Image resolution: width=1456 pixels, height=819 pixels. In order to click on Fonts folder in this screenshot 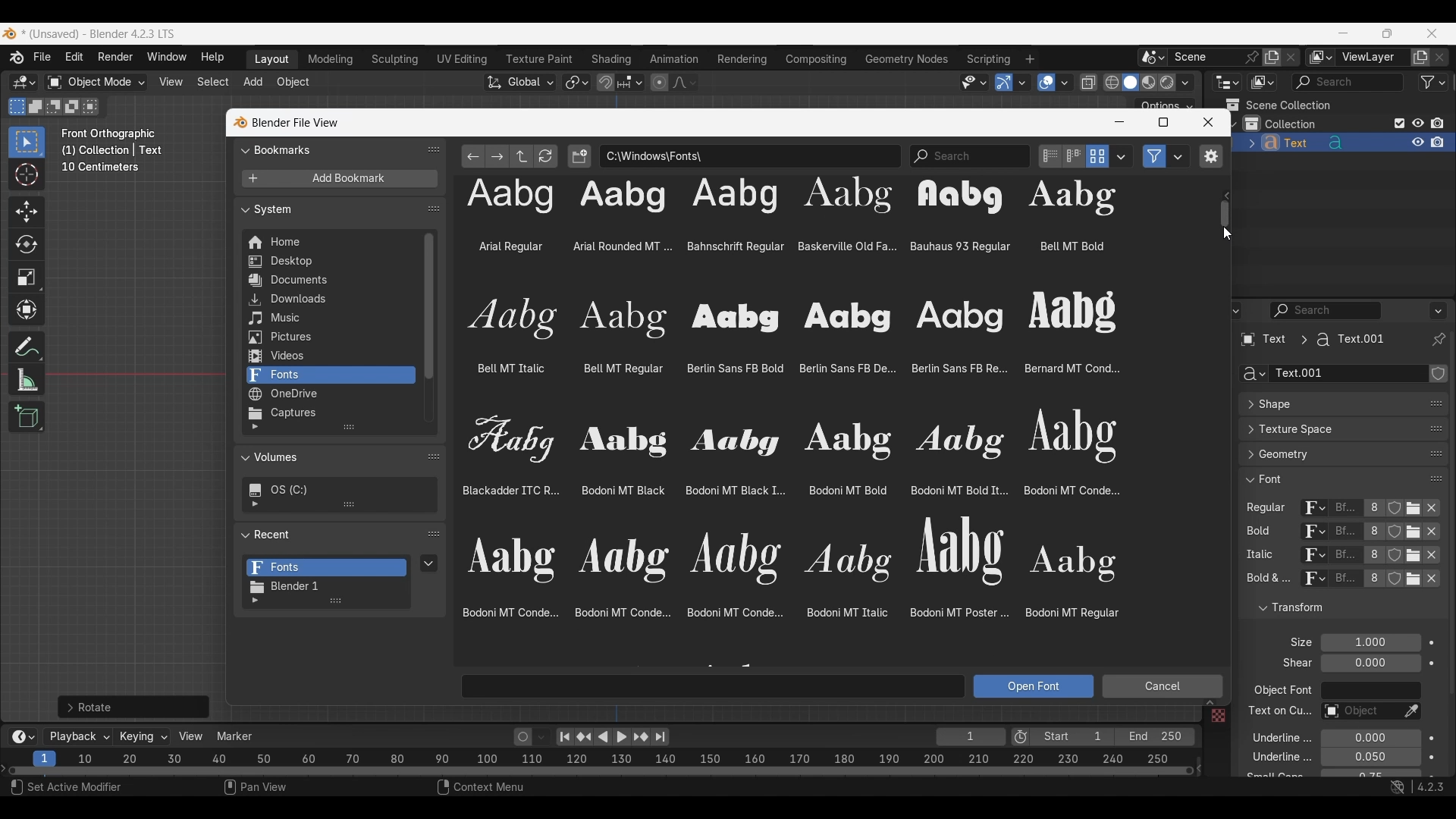, I will do `click(327, 568)`.